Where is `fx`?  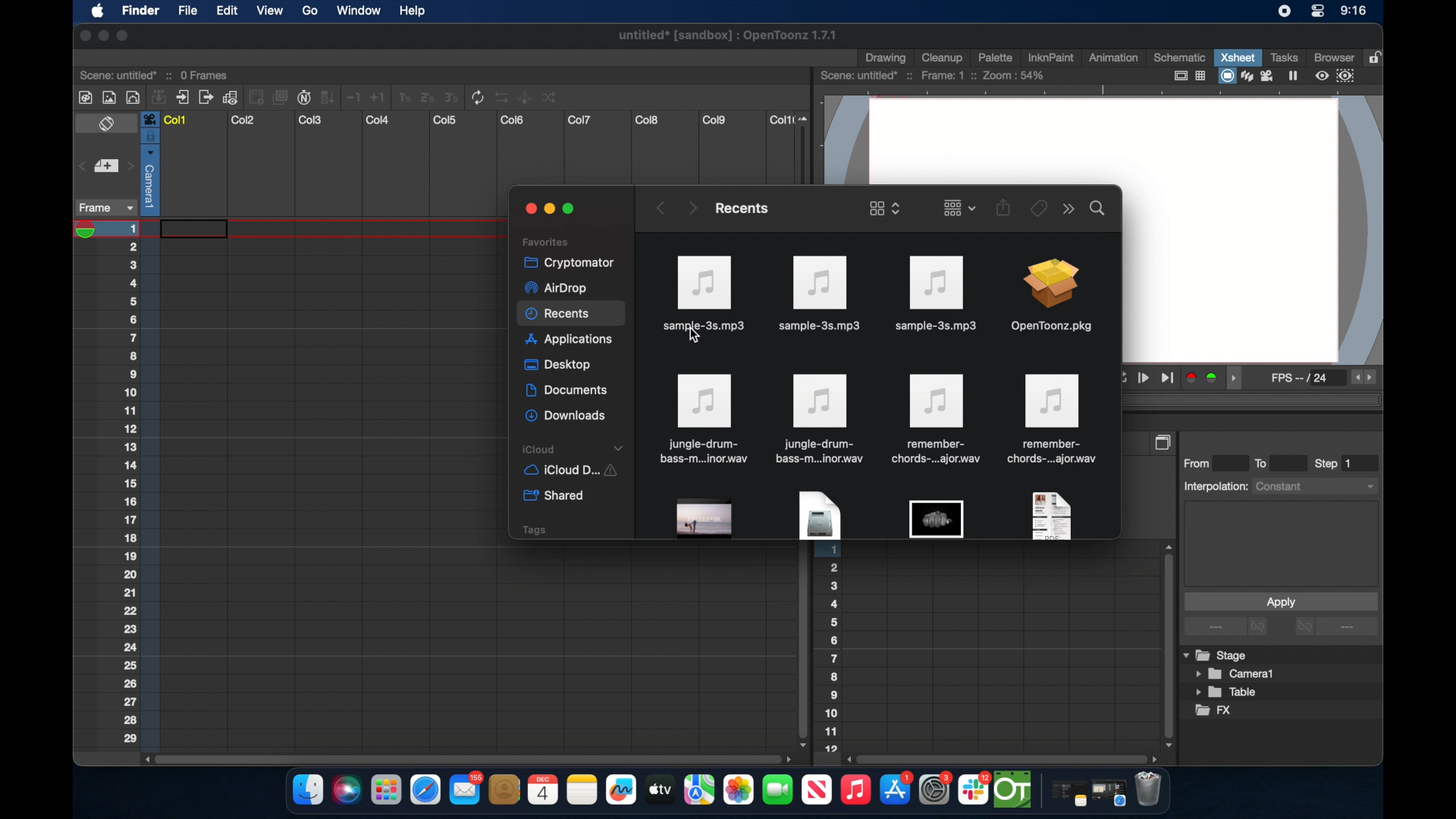 fx is located at coordinates (1214, 711).